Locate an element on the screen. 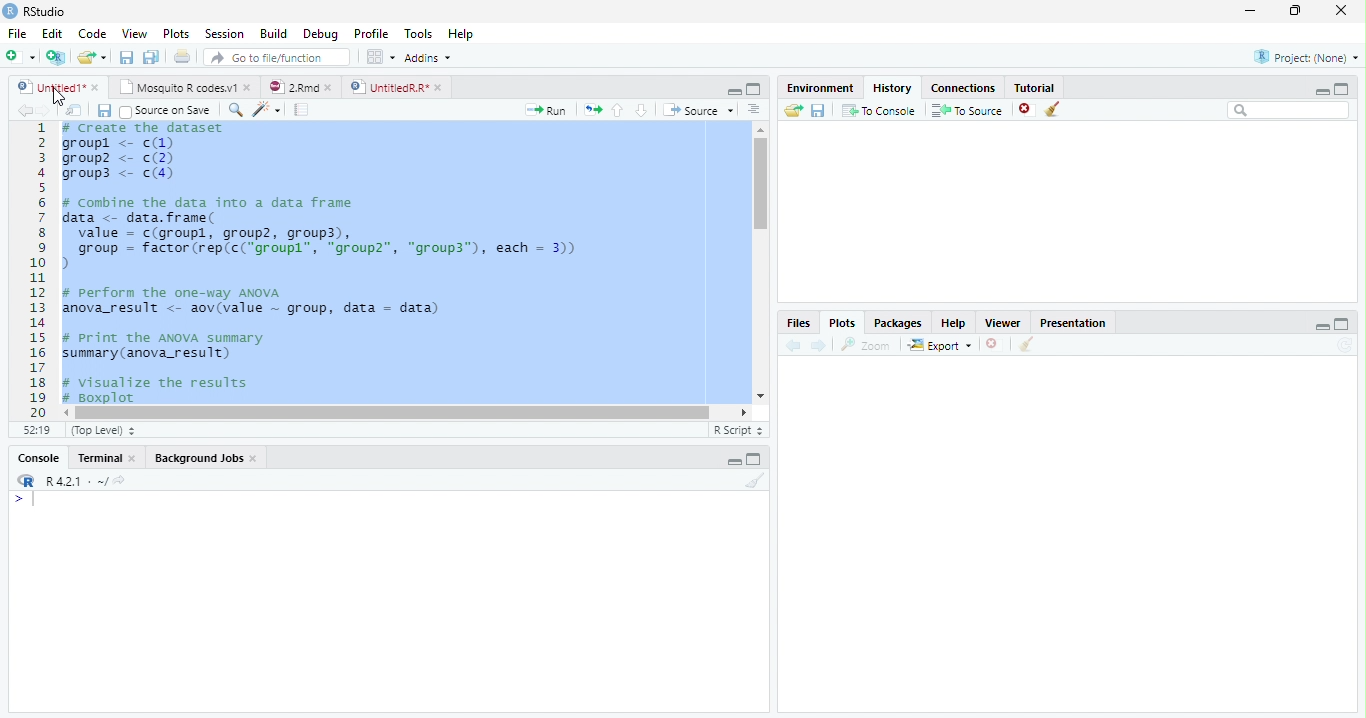  1 2 3 4 5 6 7 8 9 10.... is located at coordinates (39, 271).